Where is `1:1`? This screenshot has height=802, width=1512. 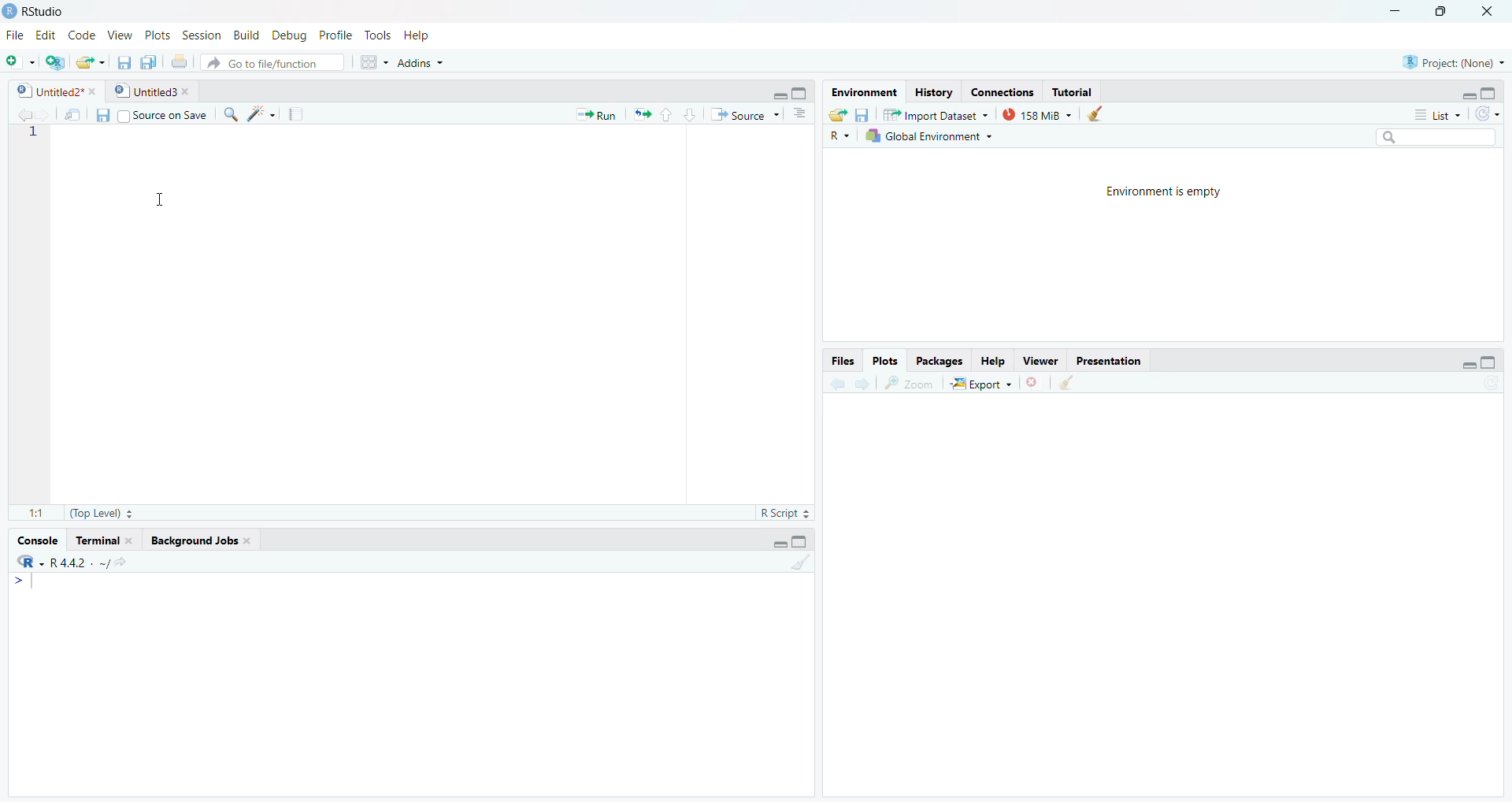
1:1 is located at coordinates (31, 513).